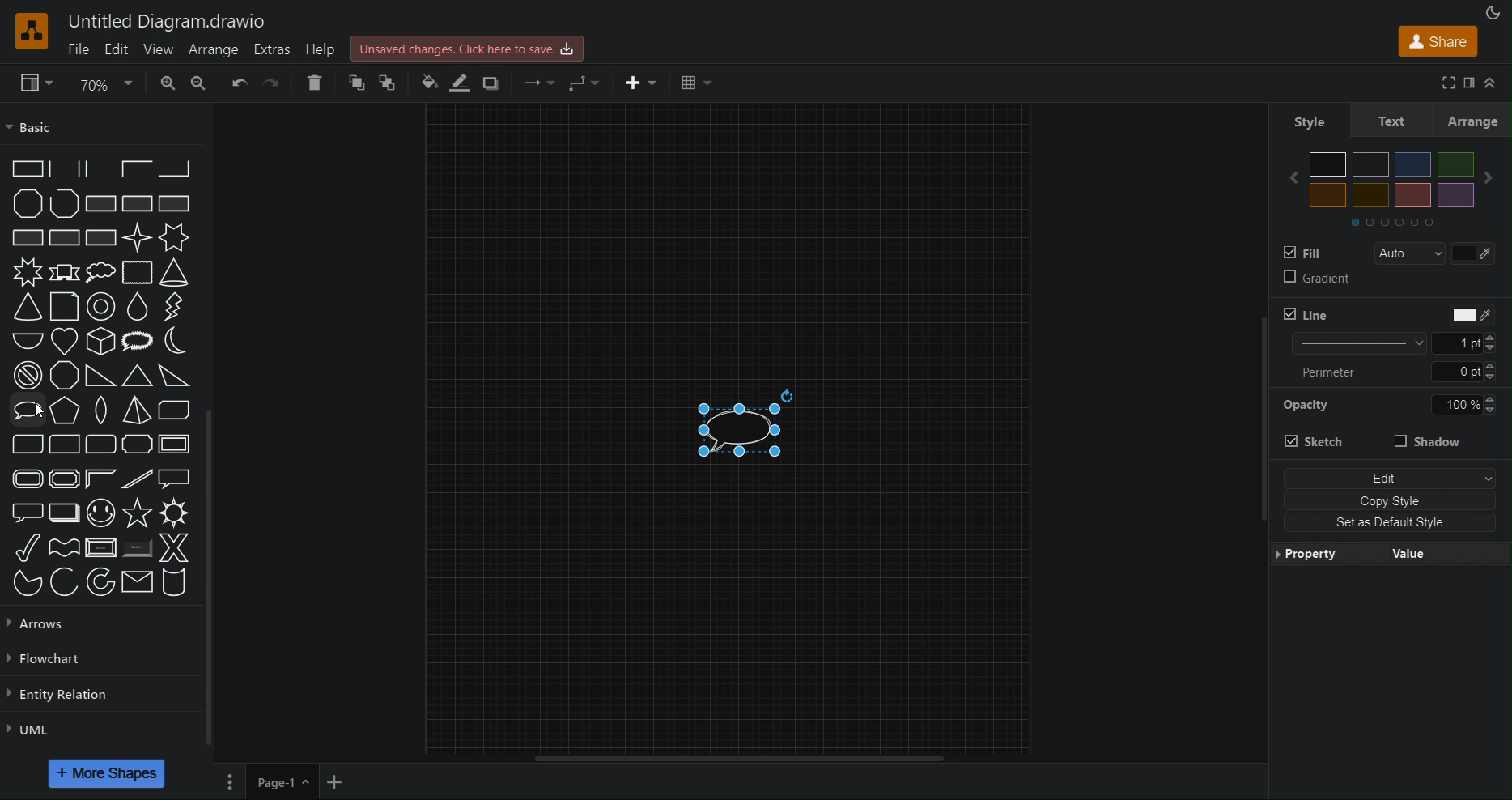 The width and height of the screenshot is (1512, 800). Describe the element at coordinates (174, 237) in the screenshot. I see `6 Point Star` at that location.